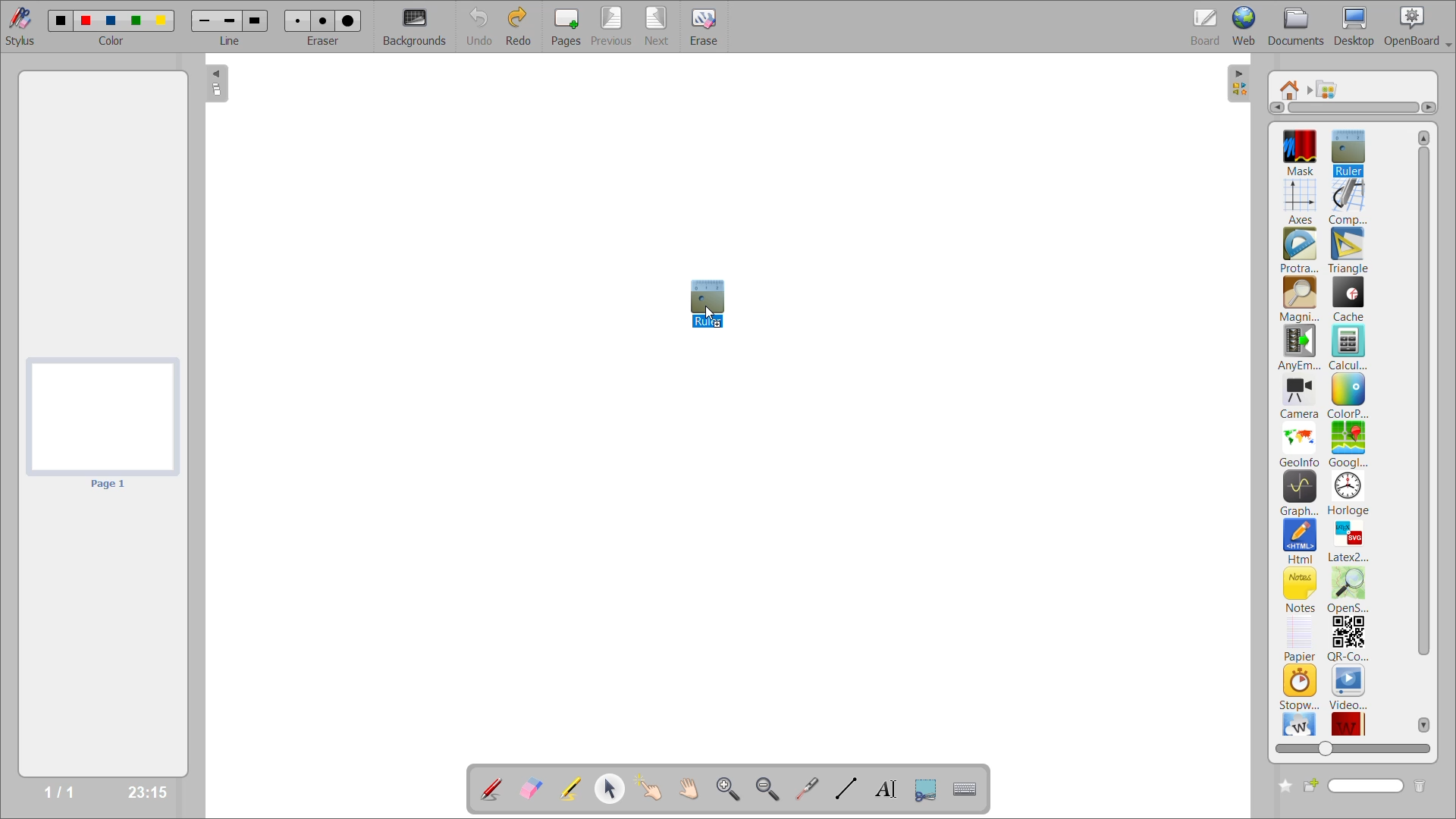  Describe the element at coordinates (1351, 591) in the screenshot. I see `openstreetmap` at that location.